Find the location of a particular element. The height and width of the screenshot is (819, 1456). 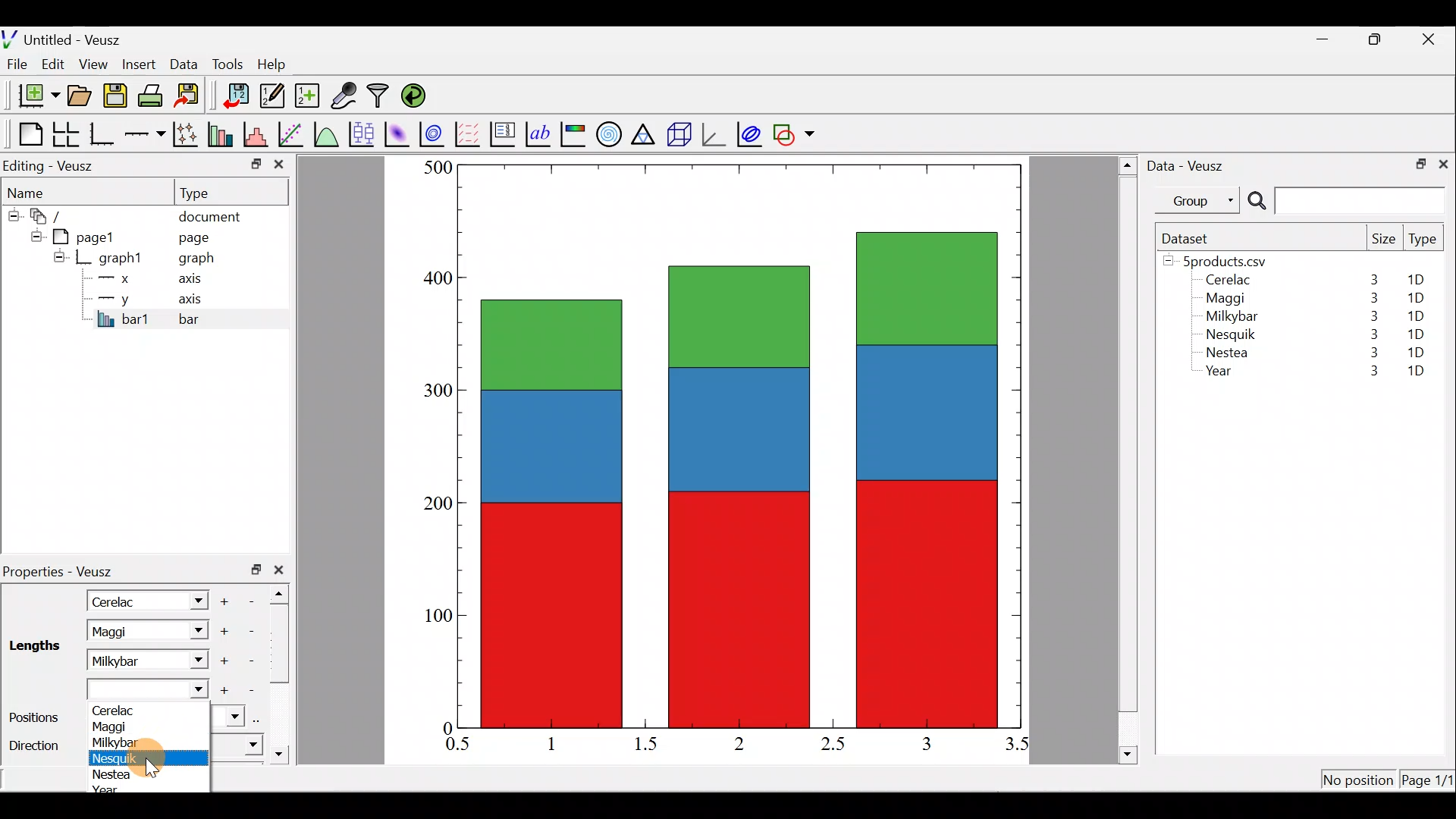

minimize is located at coordinates (1330, 38).